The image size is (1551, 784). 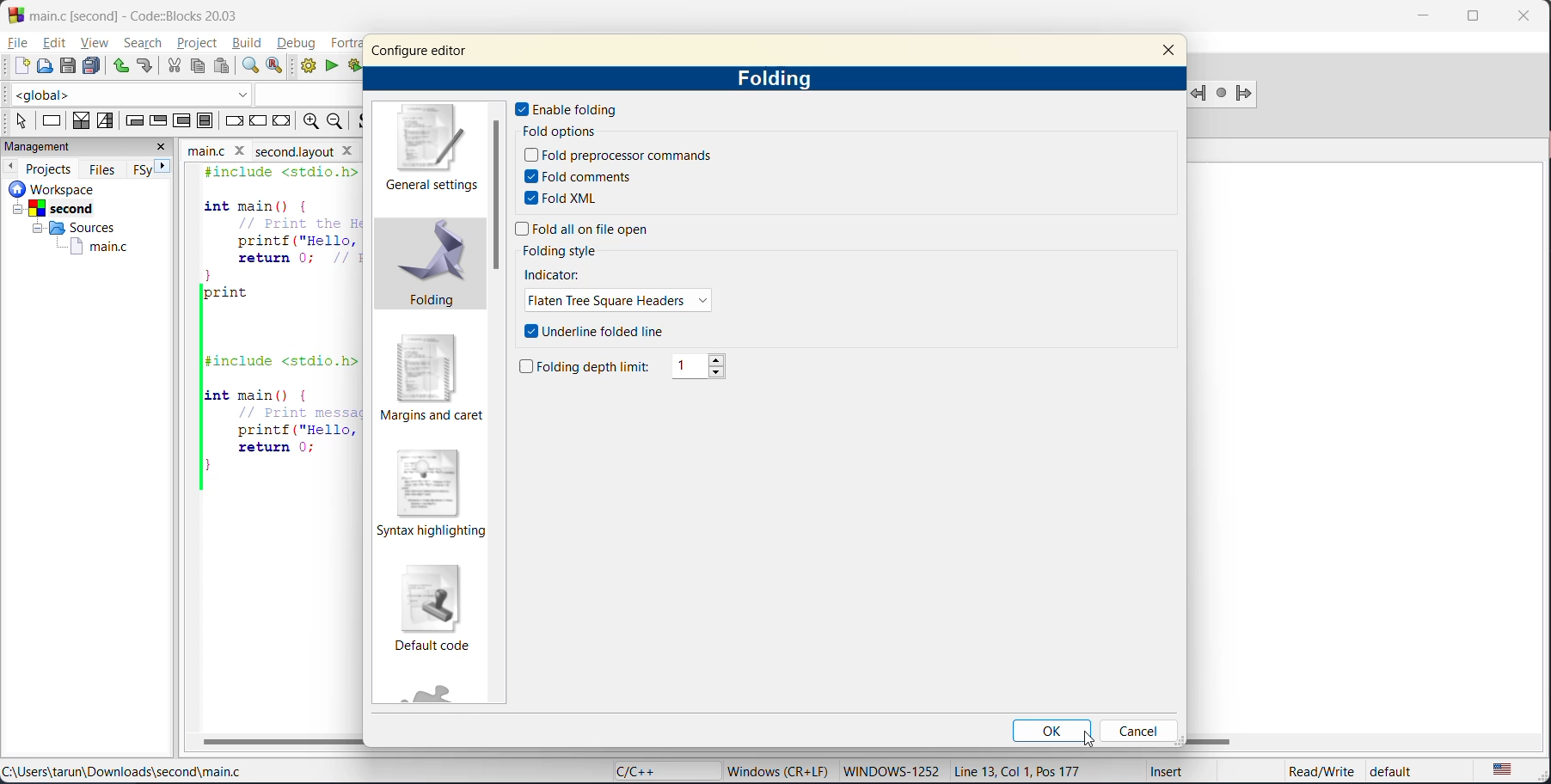 What do you see at coordinates (316, 149) in the screenshot?
I see `Second layout` at bounding box center [316, 149].